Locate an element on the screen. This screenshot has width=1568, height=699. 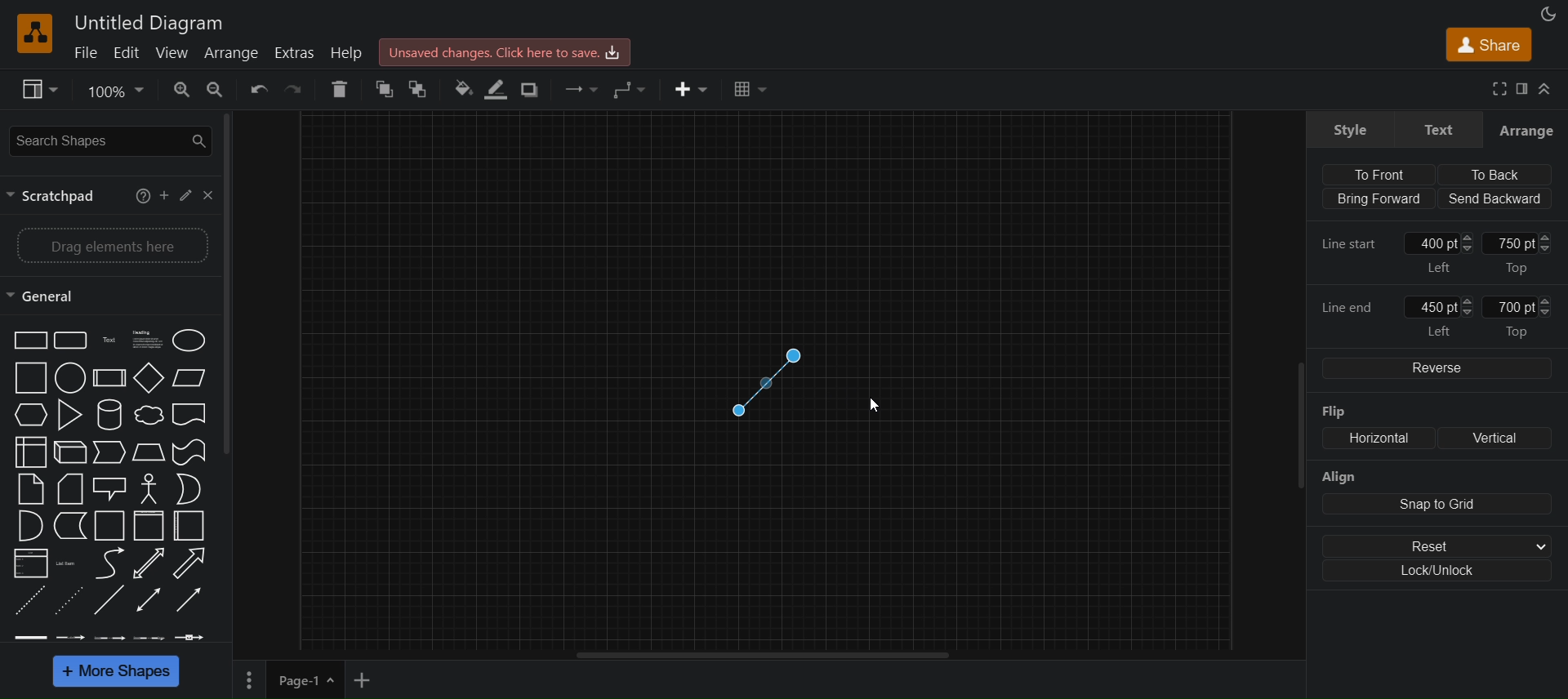
Untitled Diagram is located at coordinates (149, 23).